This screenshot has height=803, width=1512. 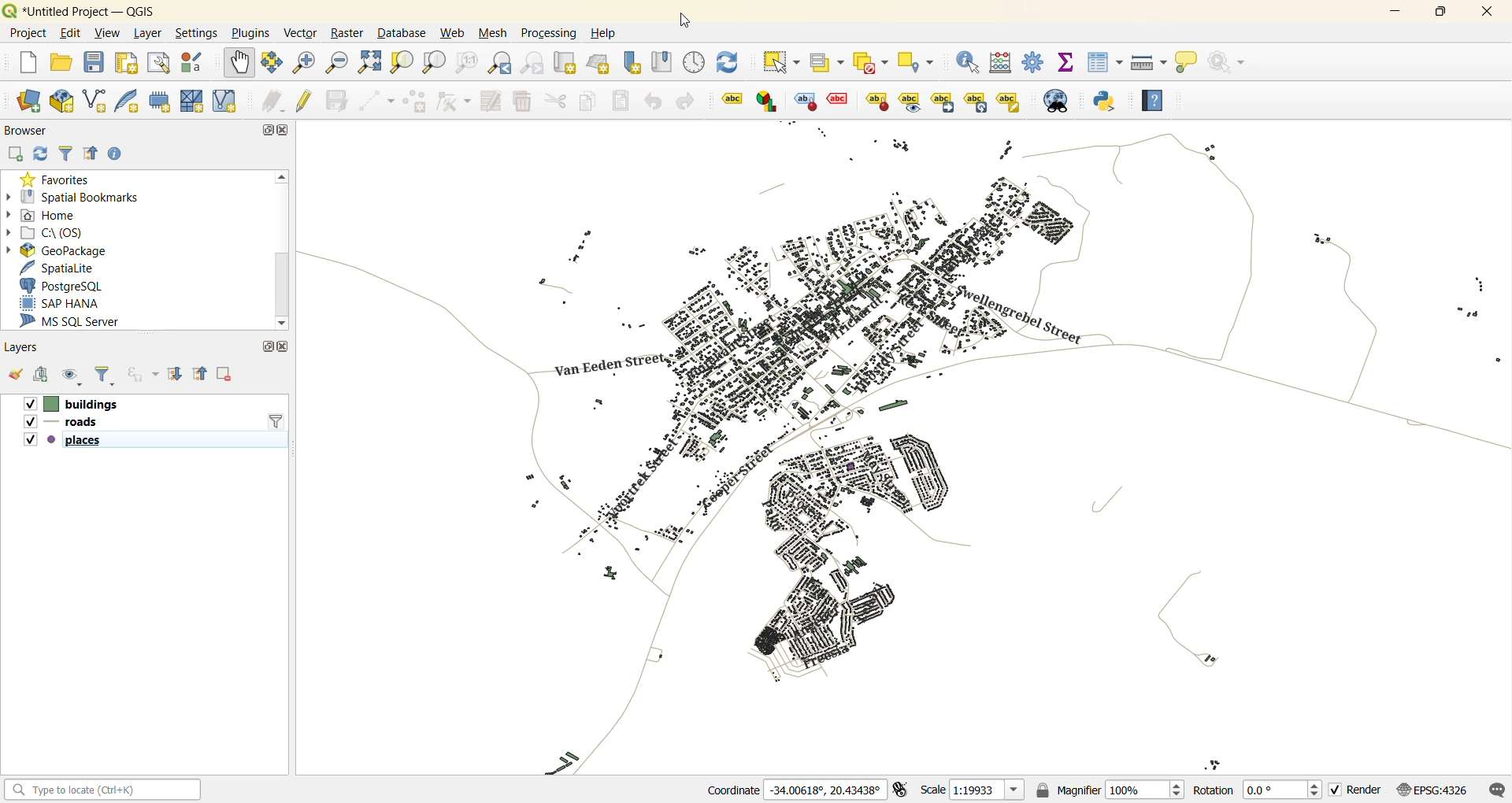 I want to click on collapse all, so click(x=200, y=375).